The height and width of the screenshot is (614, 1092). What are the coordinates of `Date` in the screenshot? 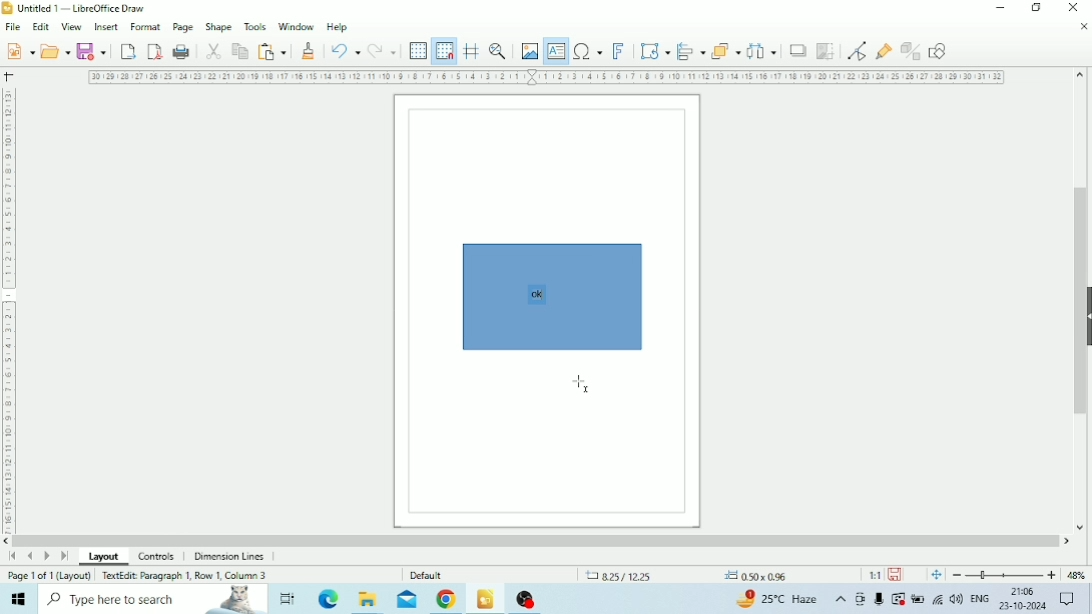 It's located at (1024, 607).